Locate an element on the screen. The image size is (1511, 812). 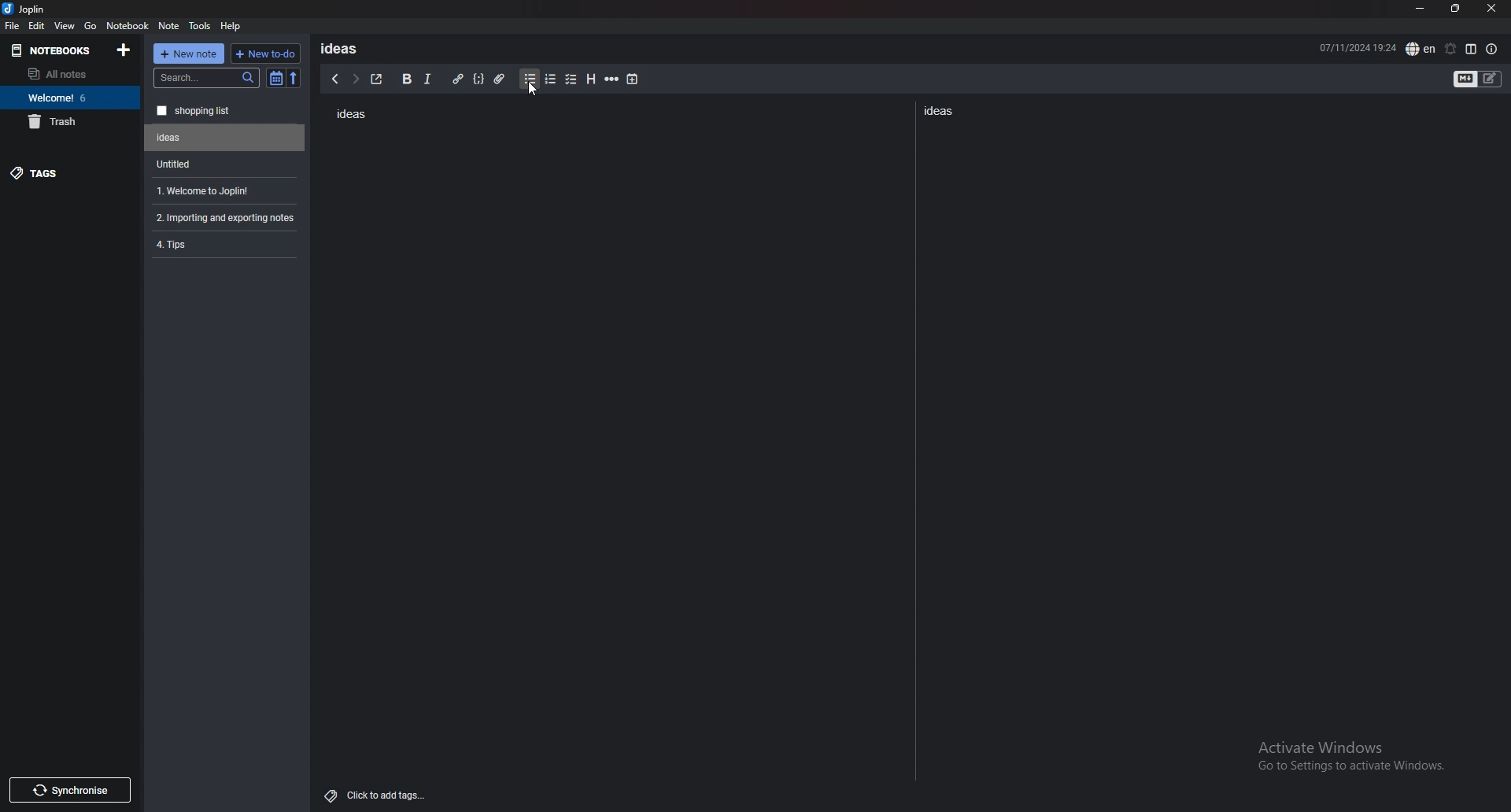
notebook is located at coordinates (127, 24).